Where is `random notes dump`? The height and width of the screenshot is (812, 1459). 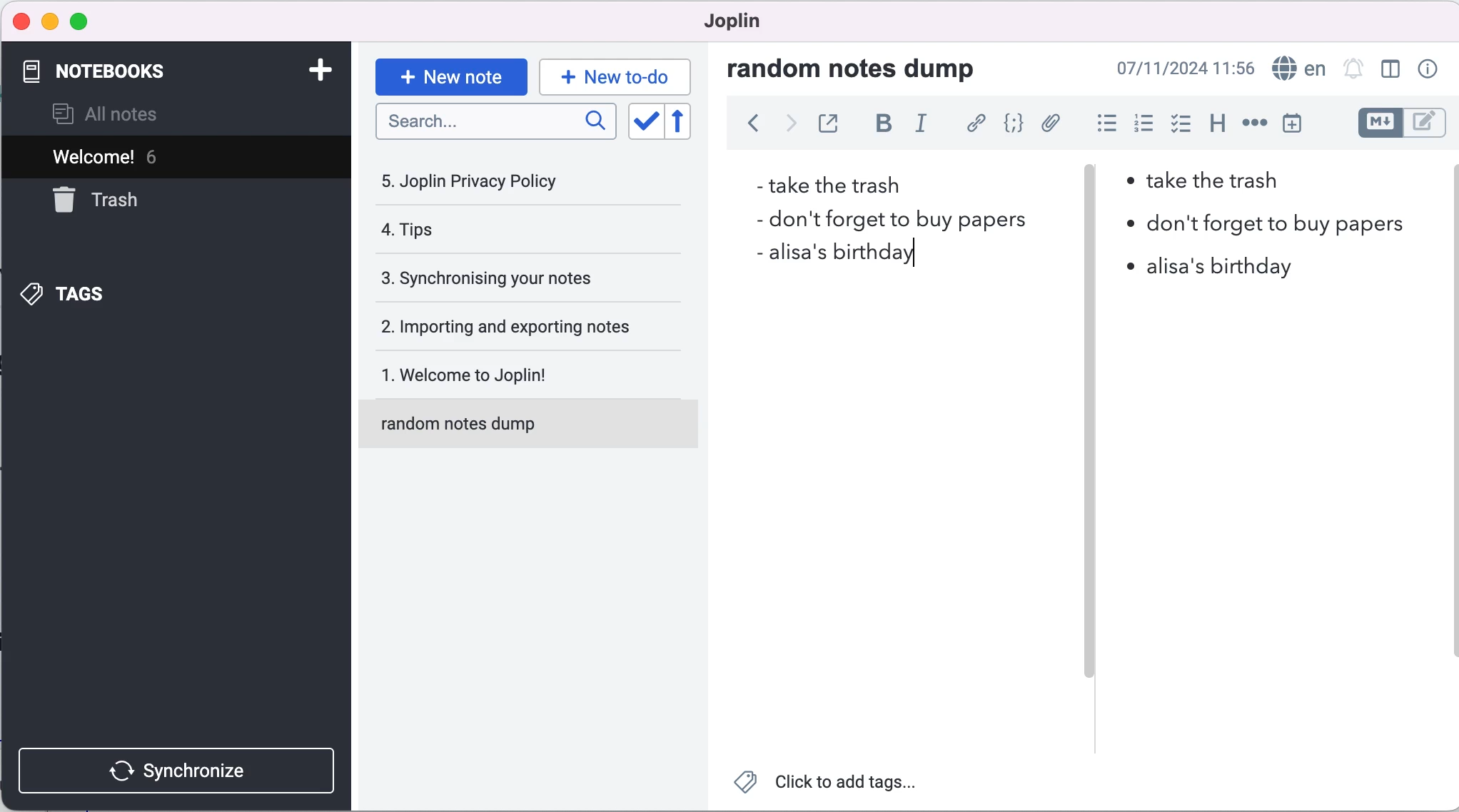
random notes dump is located at coordinates (865, 68).